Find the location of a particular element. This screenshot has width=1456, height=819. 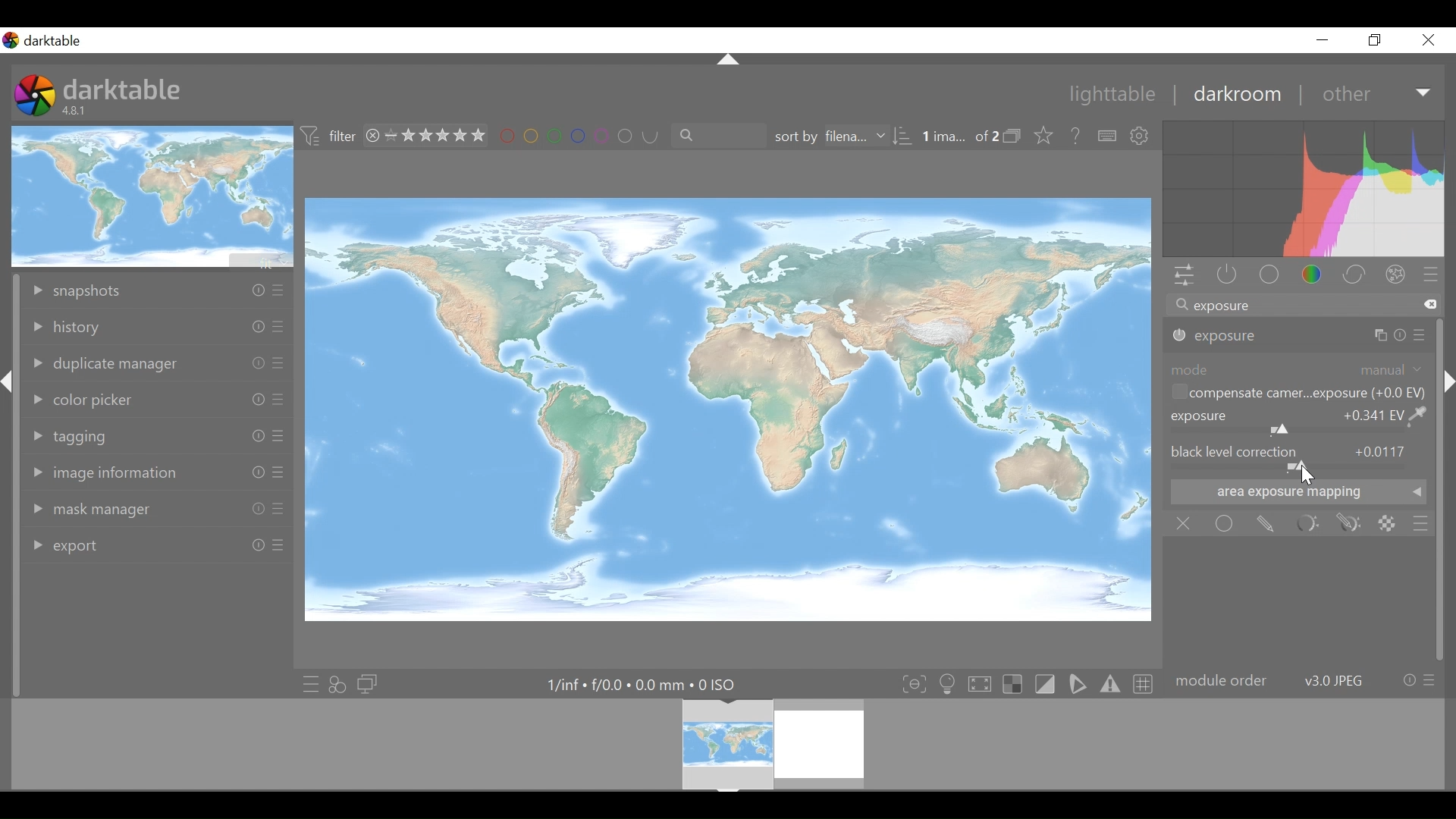

click to change the type of overlays is located at coordinates (1046, 134).